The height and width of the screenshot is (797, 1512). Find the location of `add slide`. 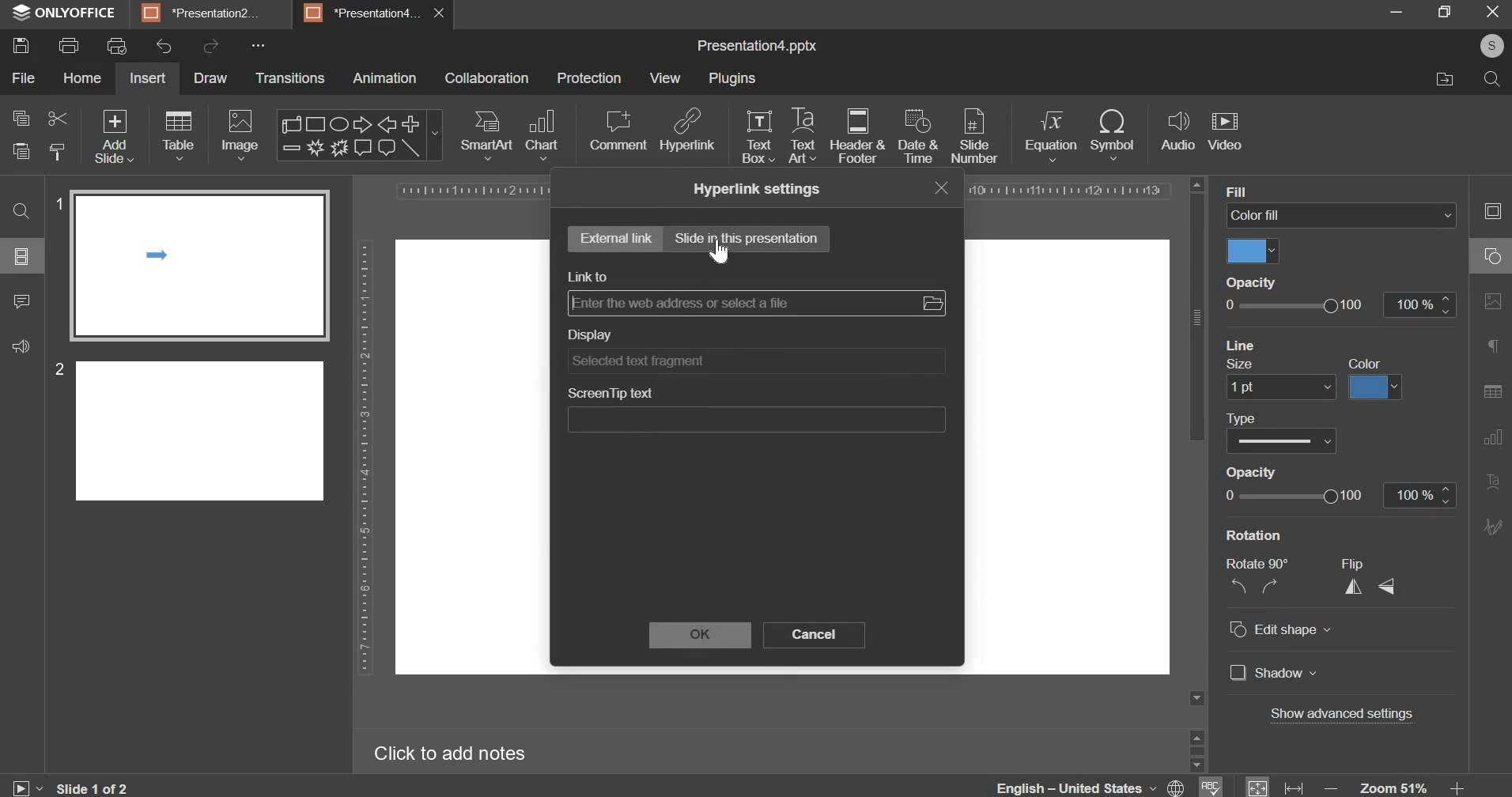

add slide is located at coordinates (115, 136).